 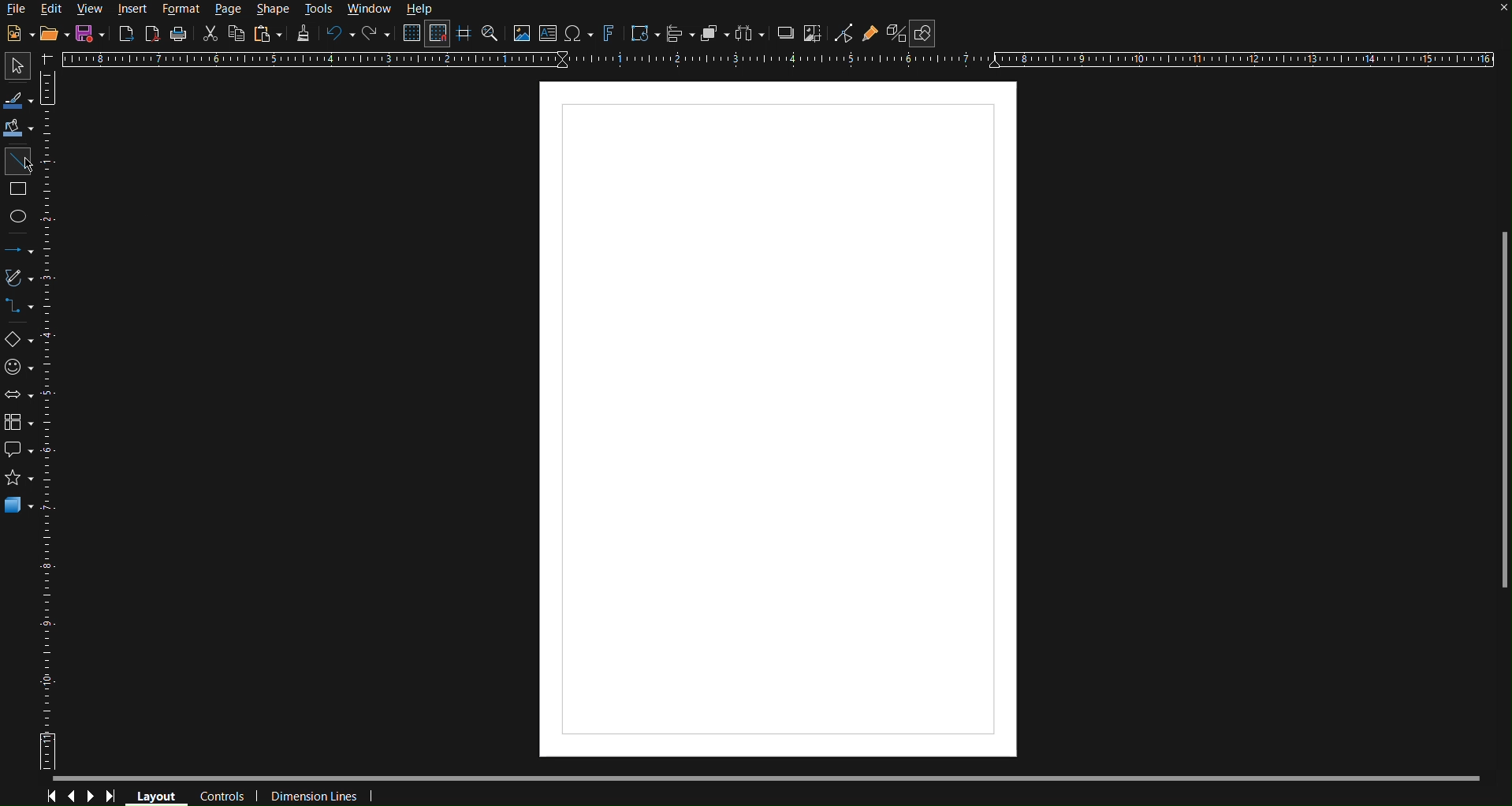 What do you see at coordinates (13, 34) in the screenshot?
I see `` at bounding box center [13, 34].